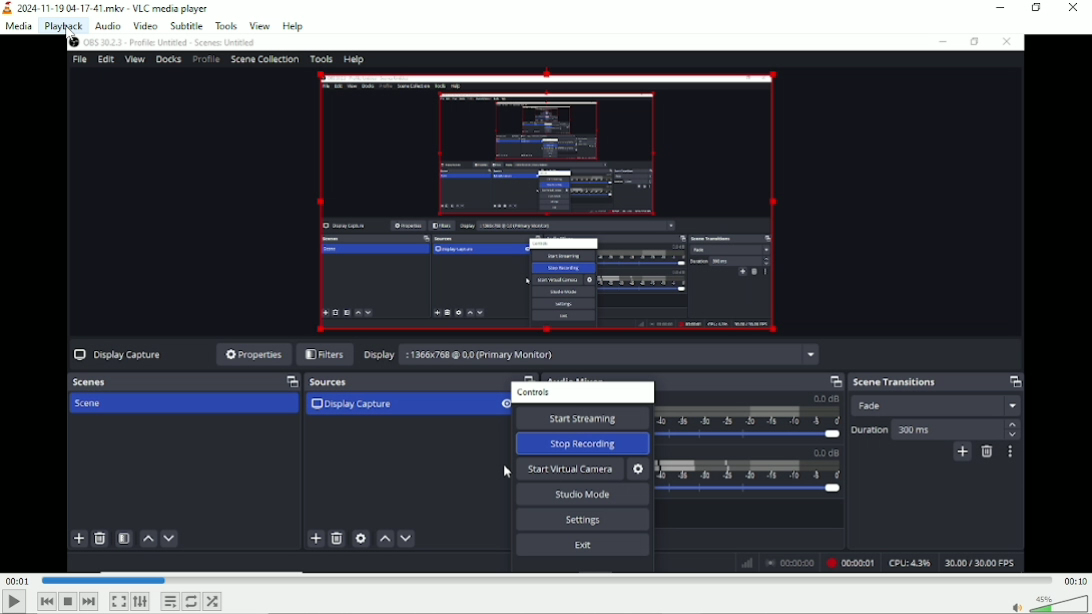 Image resolution: width=1092 pixels, height=614 pixels. I want to click on random, so click(213, 602).